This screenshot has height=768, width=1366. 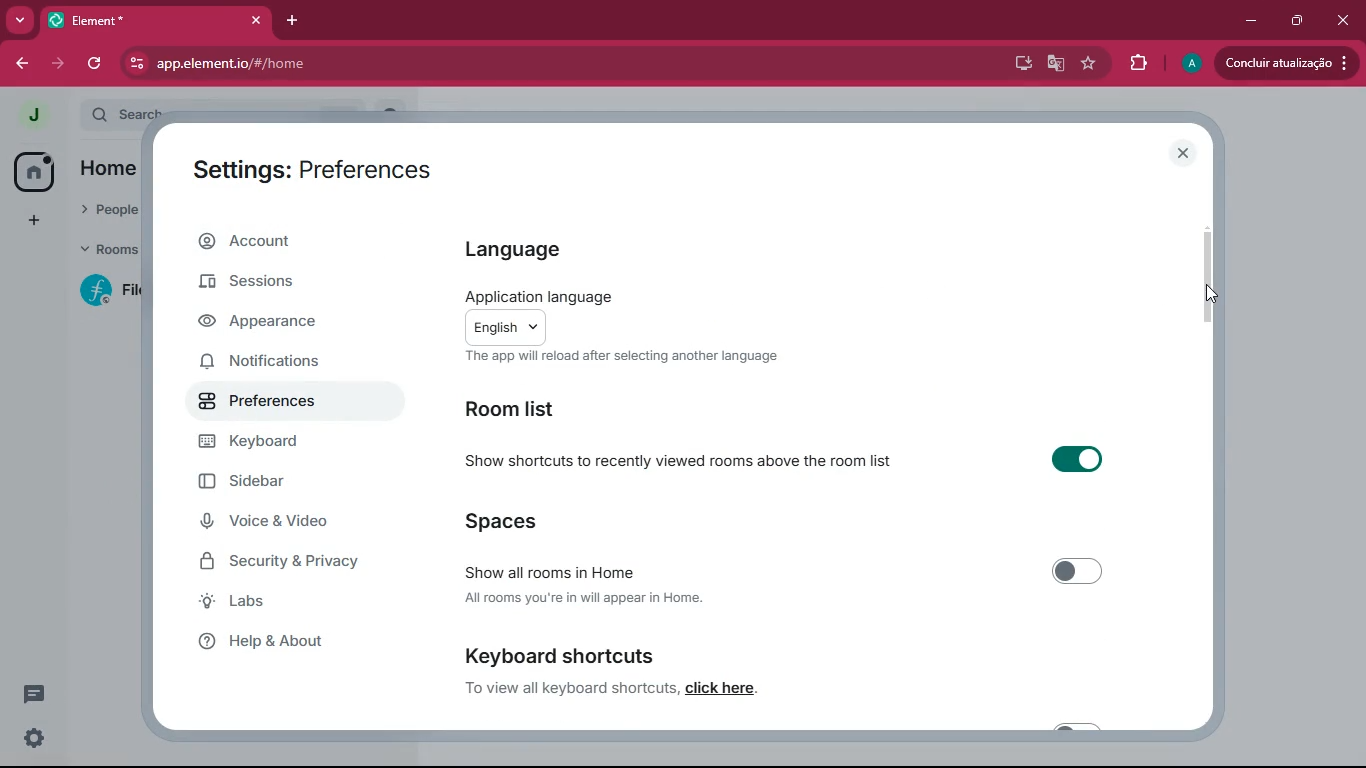 What do you see at coordinates (593, 587) in the screenshot?
I see `Show all rooms in home all rooms you are in will appear in home` at bounding box center [593, 587].